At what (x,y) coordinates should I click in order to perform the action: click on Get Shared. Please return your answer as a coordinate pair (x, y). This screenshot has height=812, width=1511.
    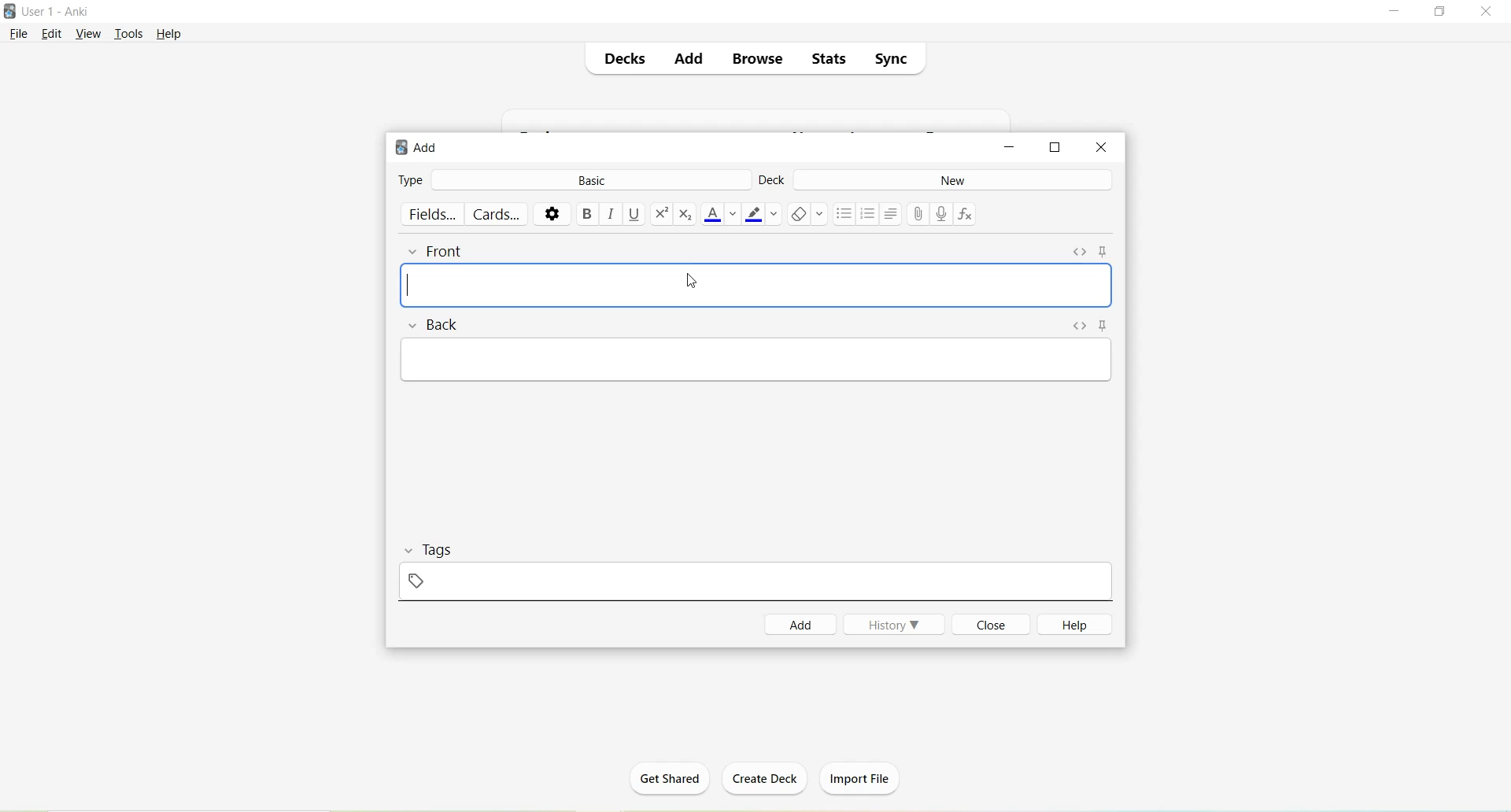
    Looking at the image, I should click on (670, 784).